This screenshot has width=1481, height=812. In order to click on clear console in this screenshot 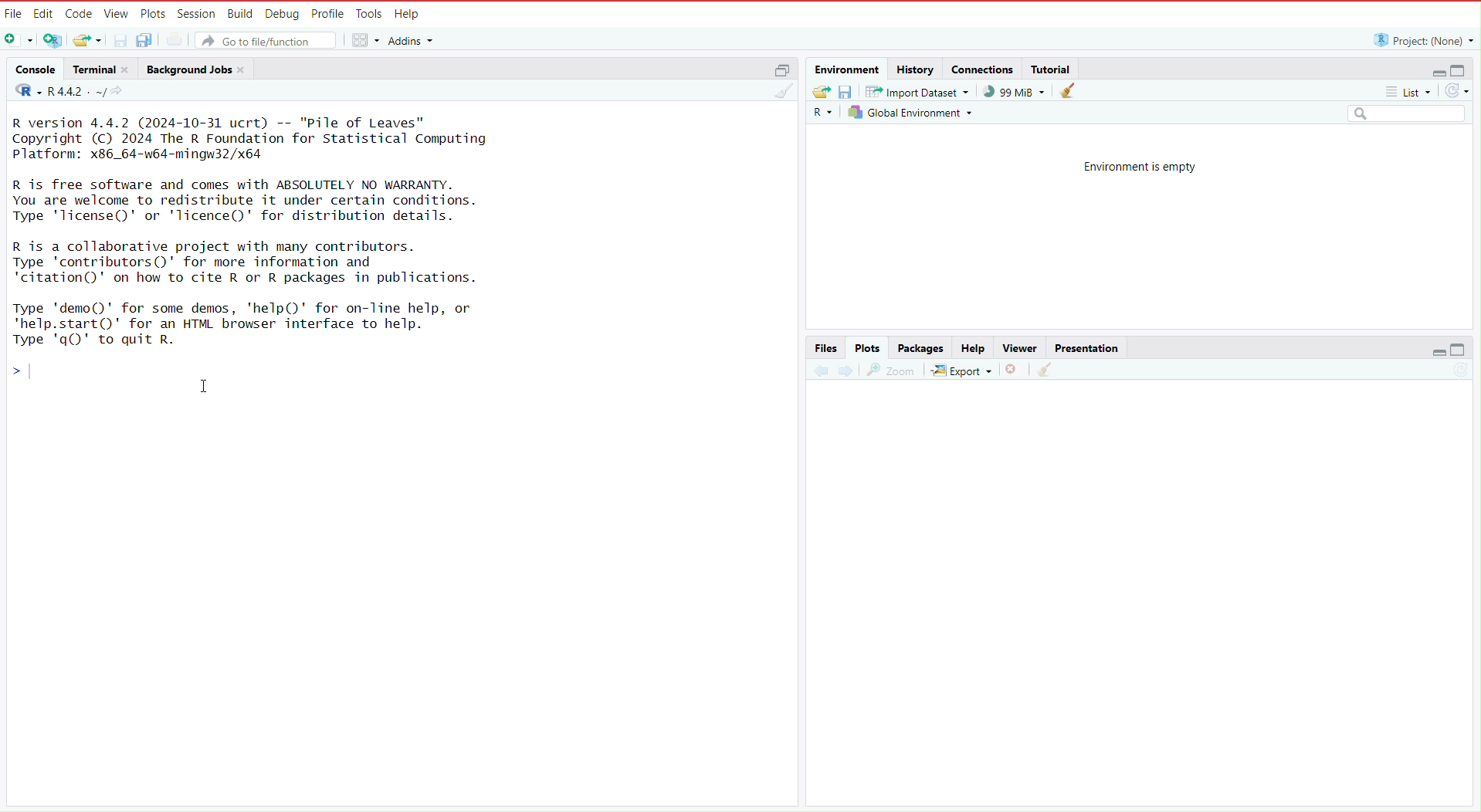, I will do `click(782, 92)`.